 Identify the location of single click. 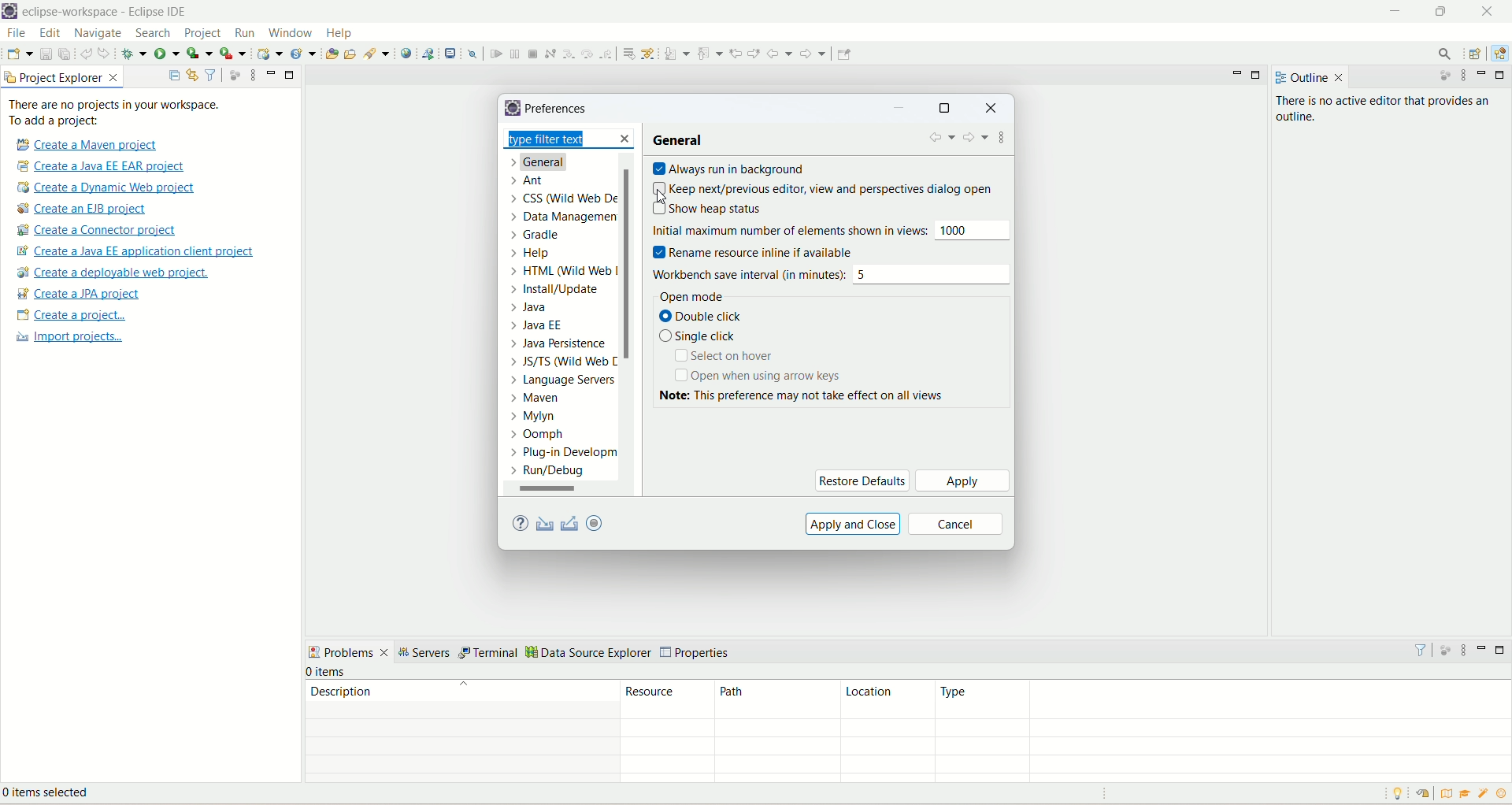
(700, 337).